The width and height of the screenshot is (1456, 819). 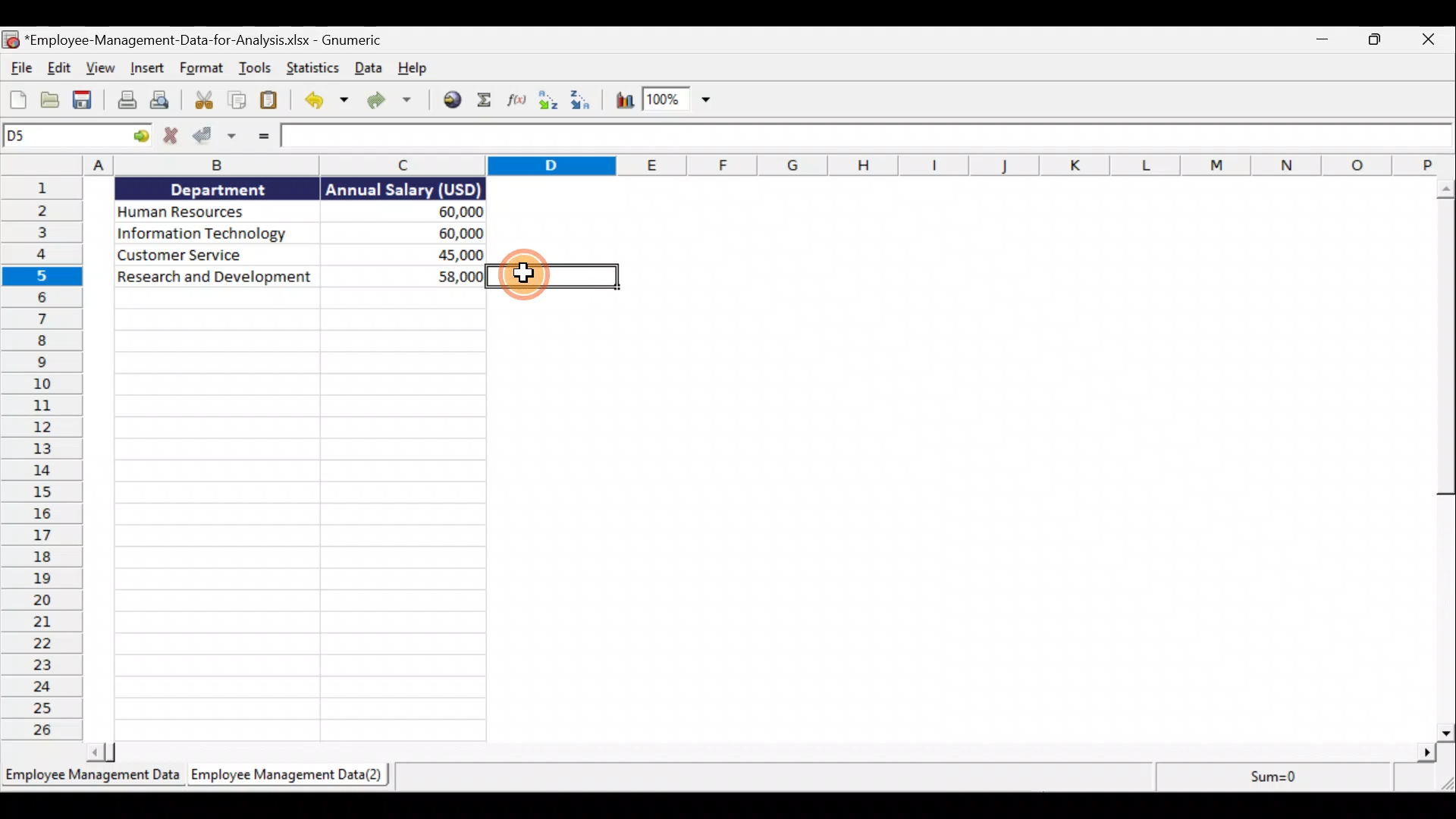 What do you see at coordinates (19, 67) in the screenshot?
I see `File` at bounding box center [19, 67].